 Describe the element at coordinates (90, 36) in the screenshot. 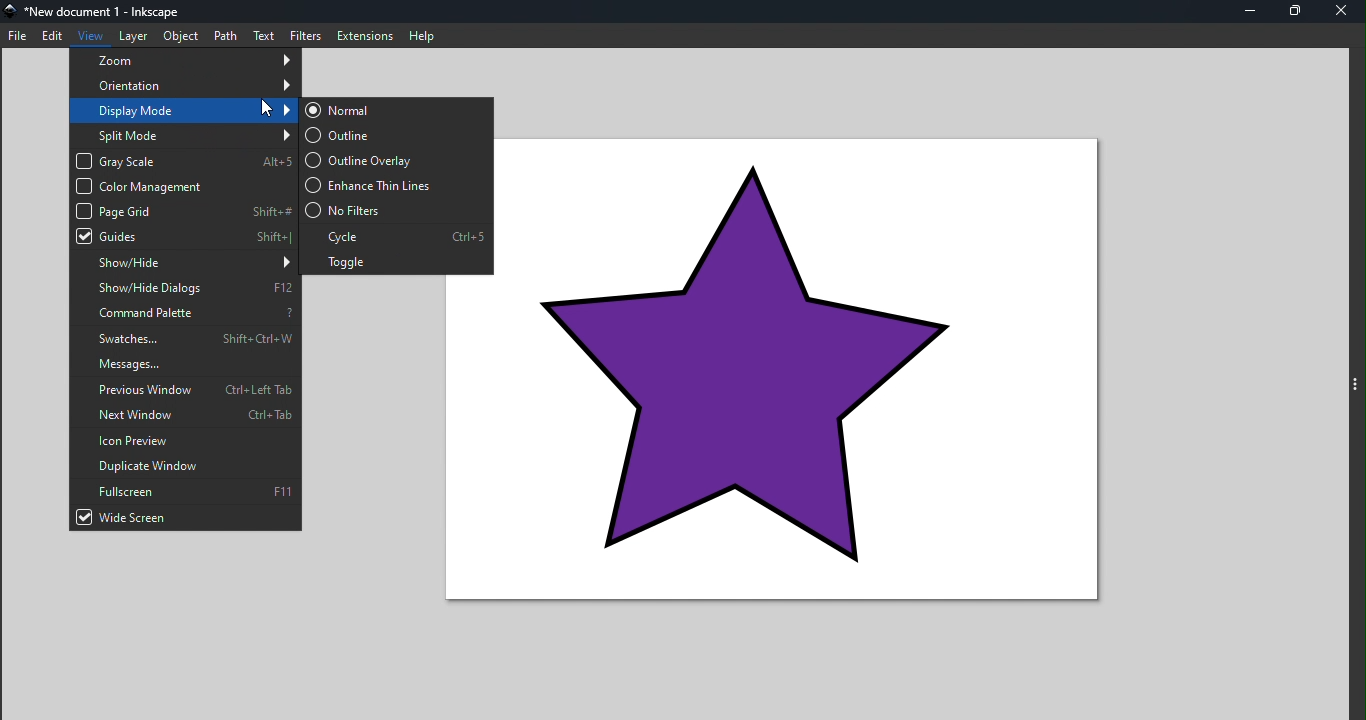

I see `View` at that location.